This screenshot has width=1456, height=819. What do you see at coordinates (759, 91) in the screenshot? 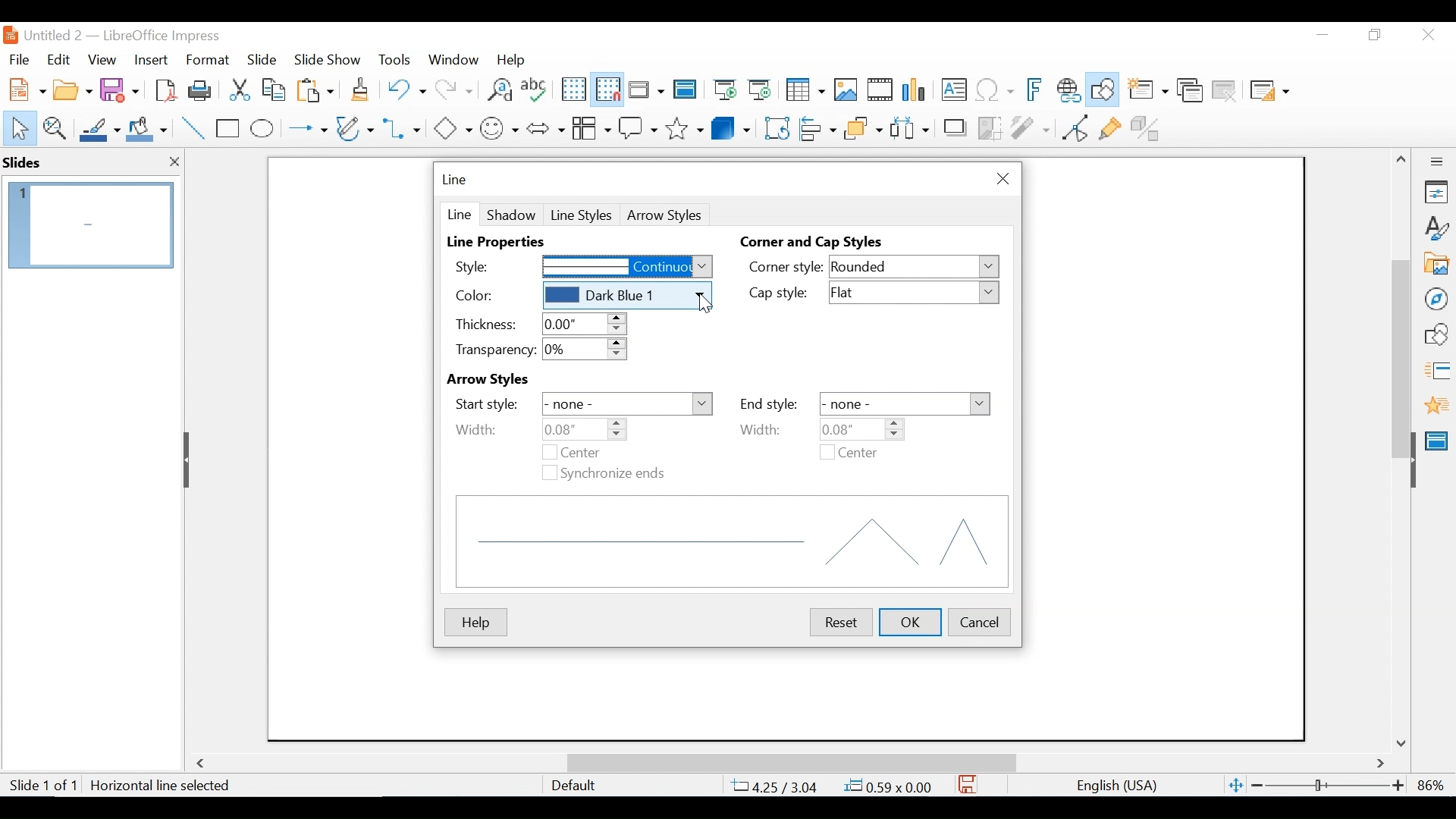
I see `Start from Current Slide` at bounding box center [759, 91].